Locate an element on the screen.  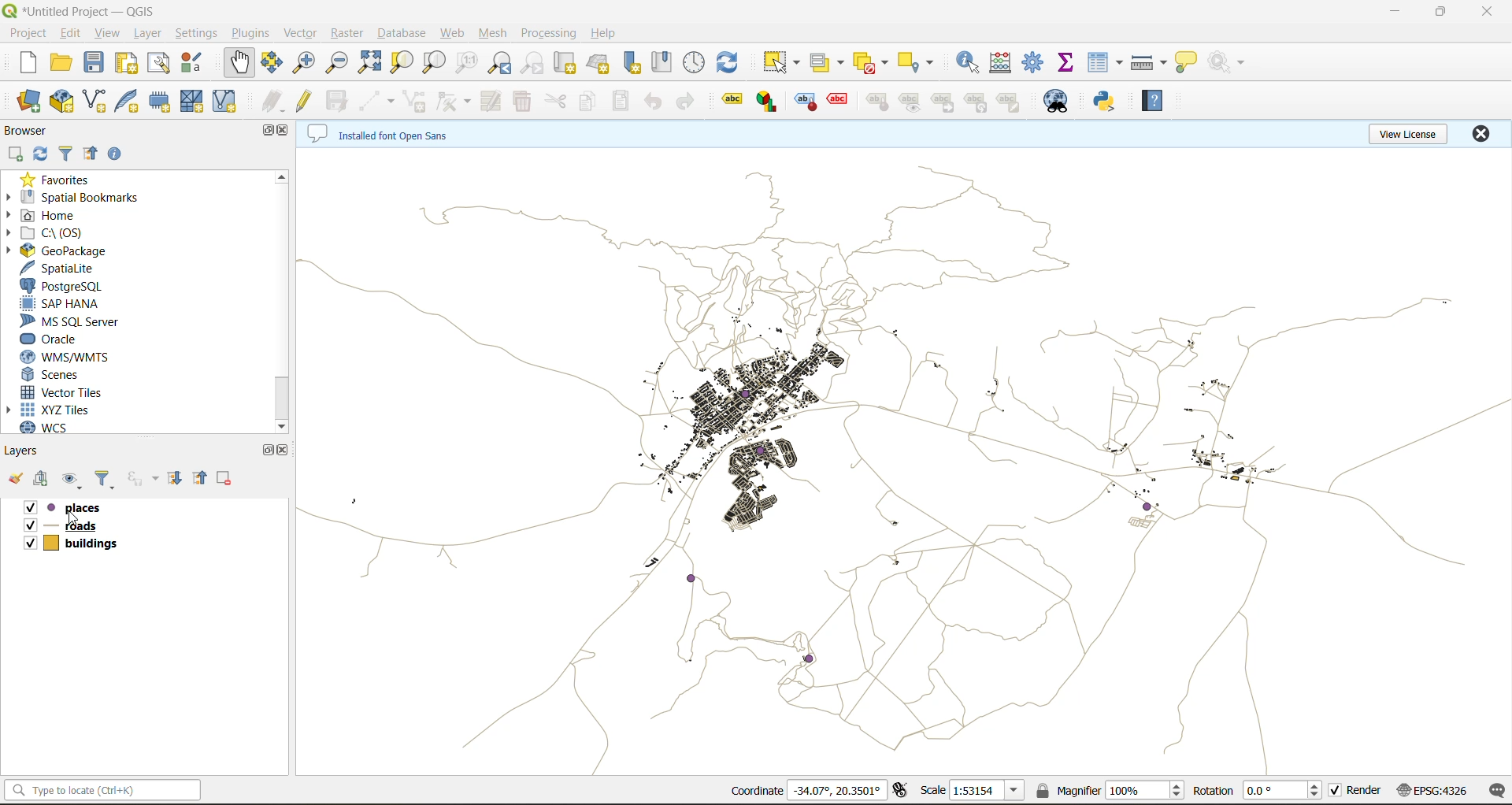
layers is located at coordinates (902, 457).